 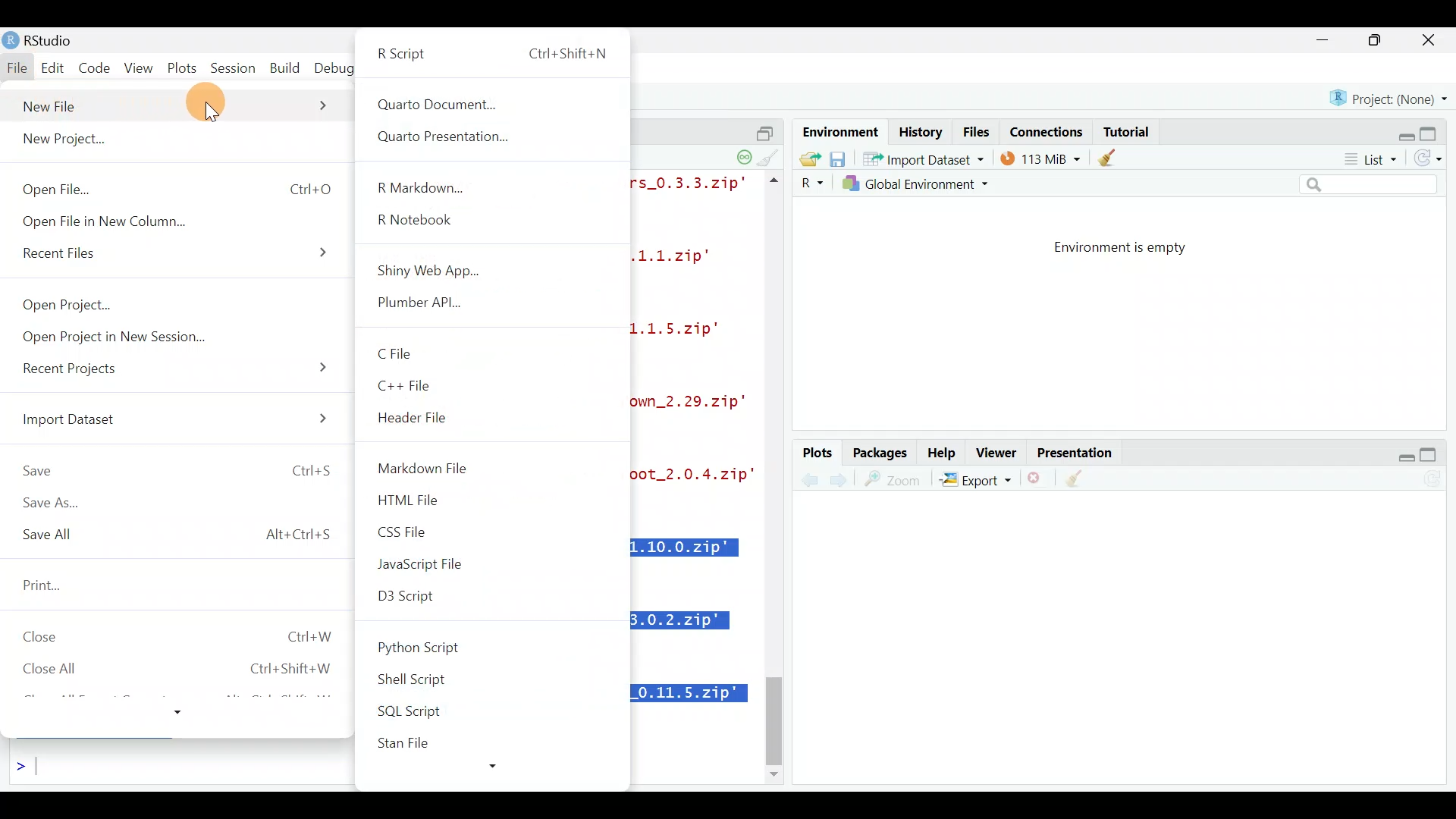 What do you see at coordinates (183, 711) in the screenshot?
I see `more` at bounding box center [183, 711].